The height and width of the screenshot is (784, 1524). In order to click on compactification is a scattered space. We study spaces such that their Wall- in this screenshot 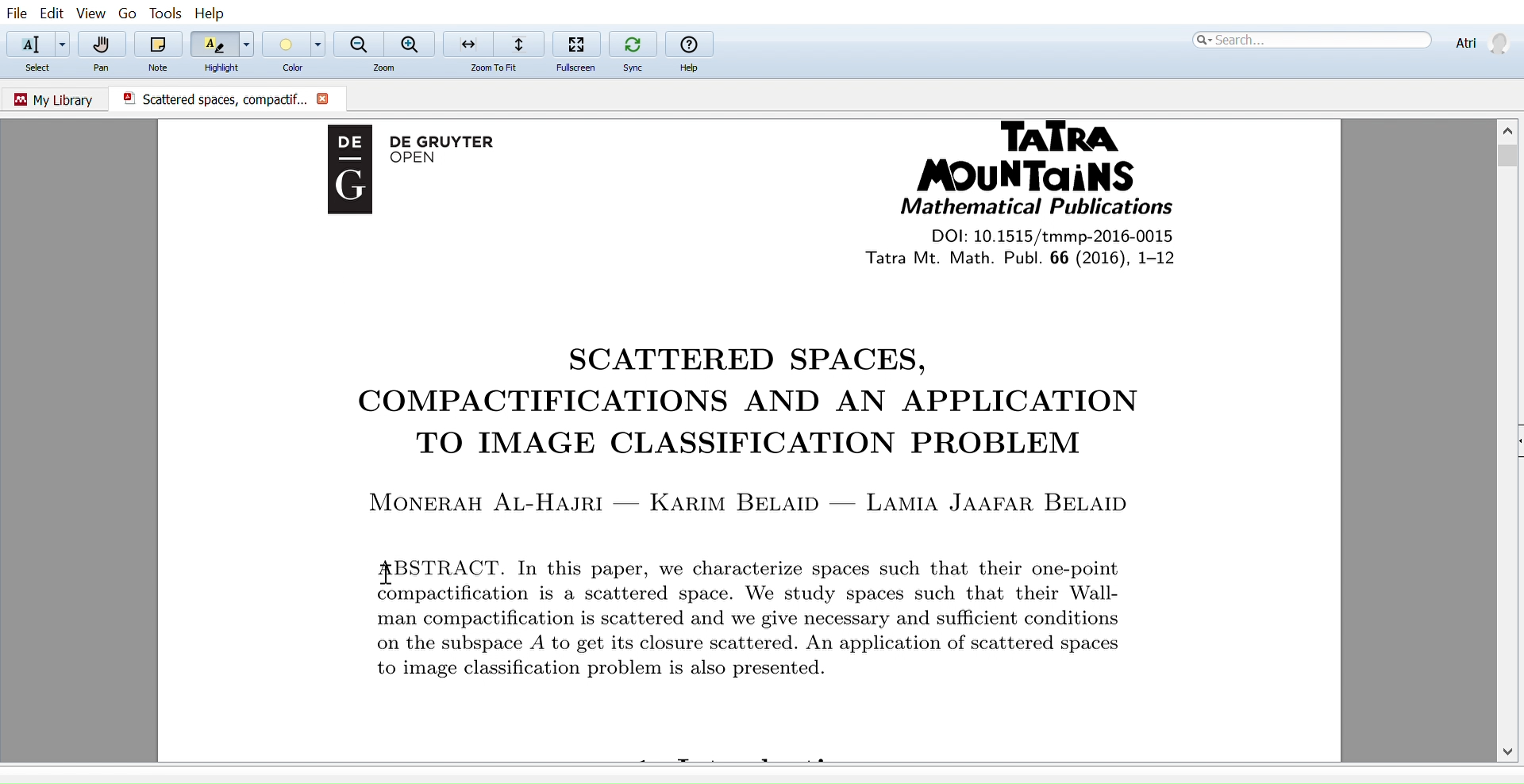, I will do `click(791, 596)`.